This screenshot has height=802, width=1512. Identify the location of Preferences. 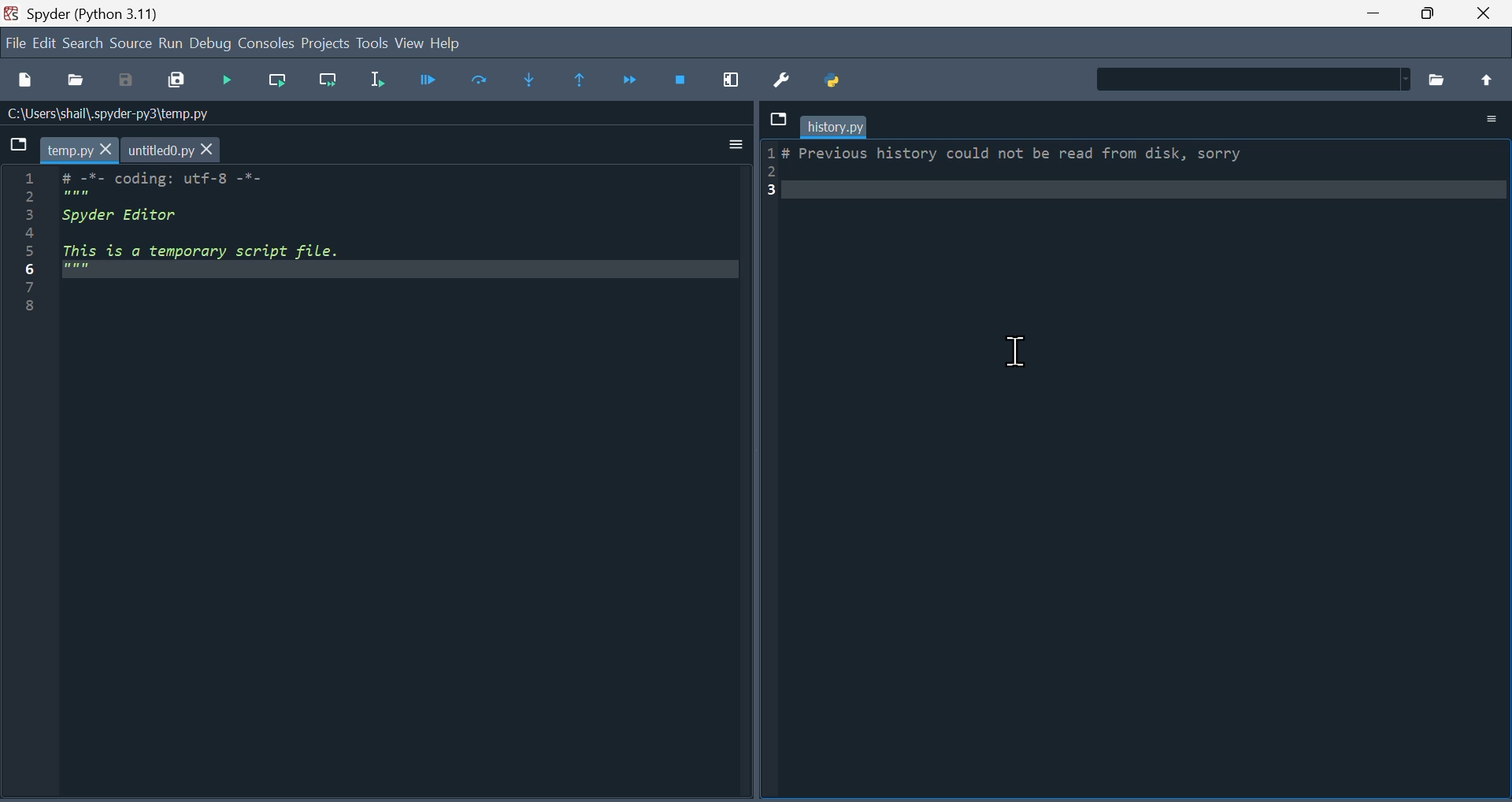
(790, 79).